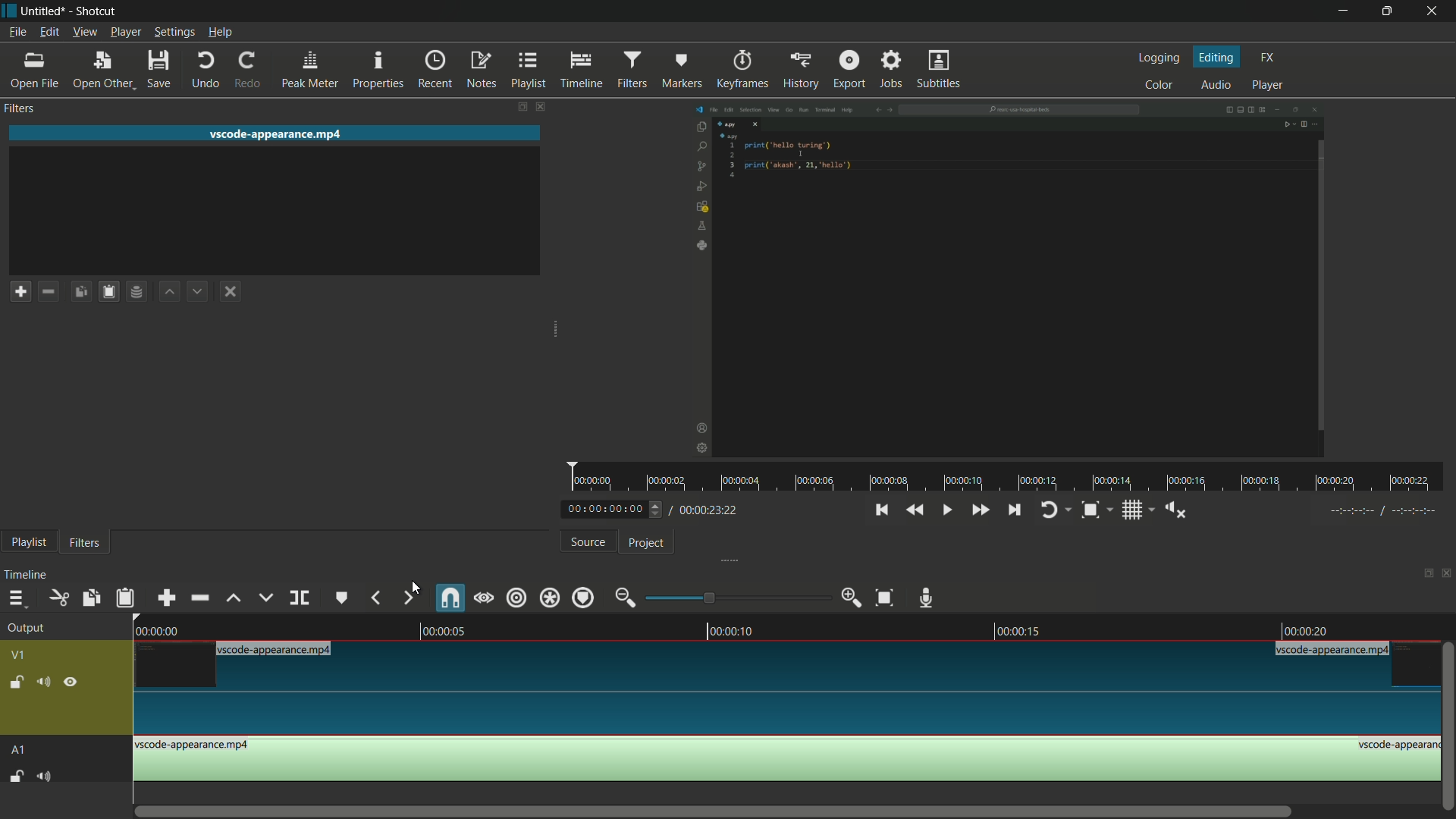 Image resolution: width=1456 pixels, height=819 pixels. Describe the element at coordinates (9, 10) in the screenshot. I see `app icon` at that location.